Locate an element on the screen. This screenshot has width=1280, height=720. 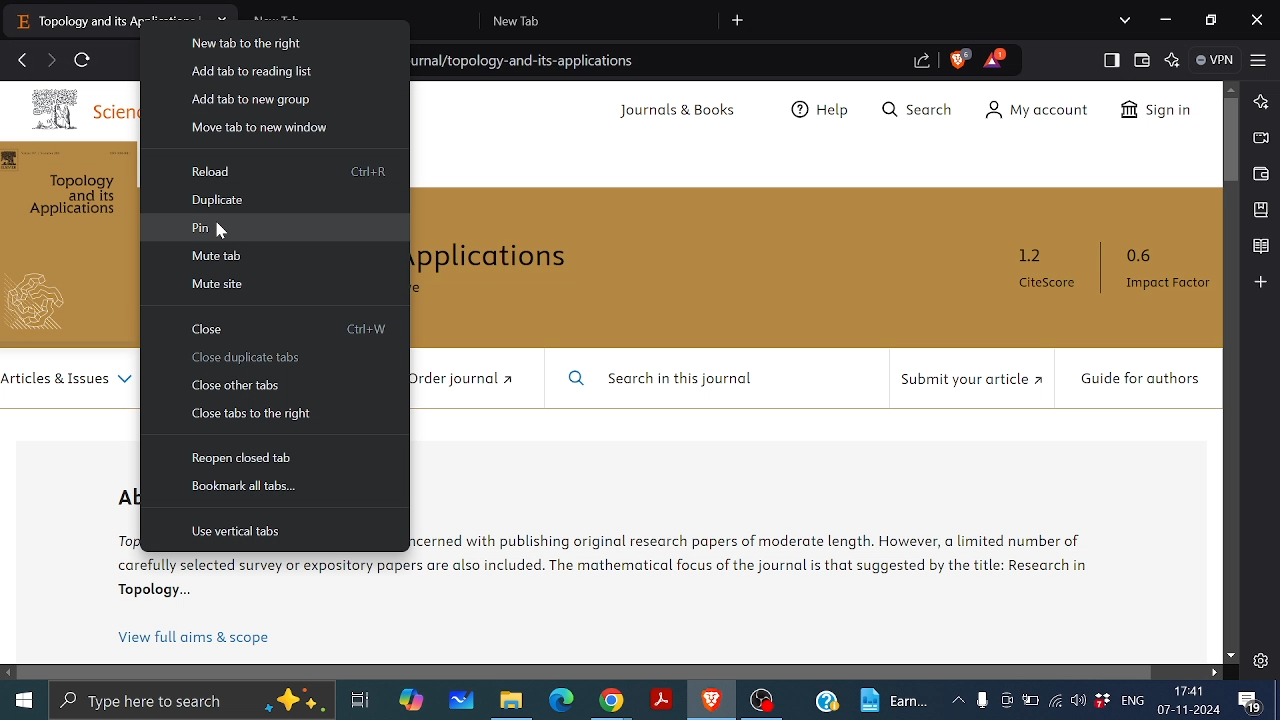
sciencedirect is located at coordinates (115, 111).